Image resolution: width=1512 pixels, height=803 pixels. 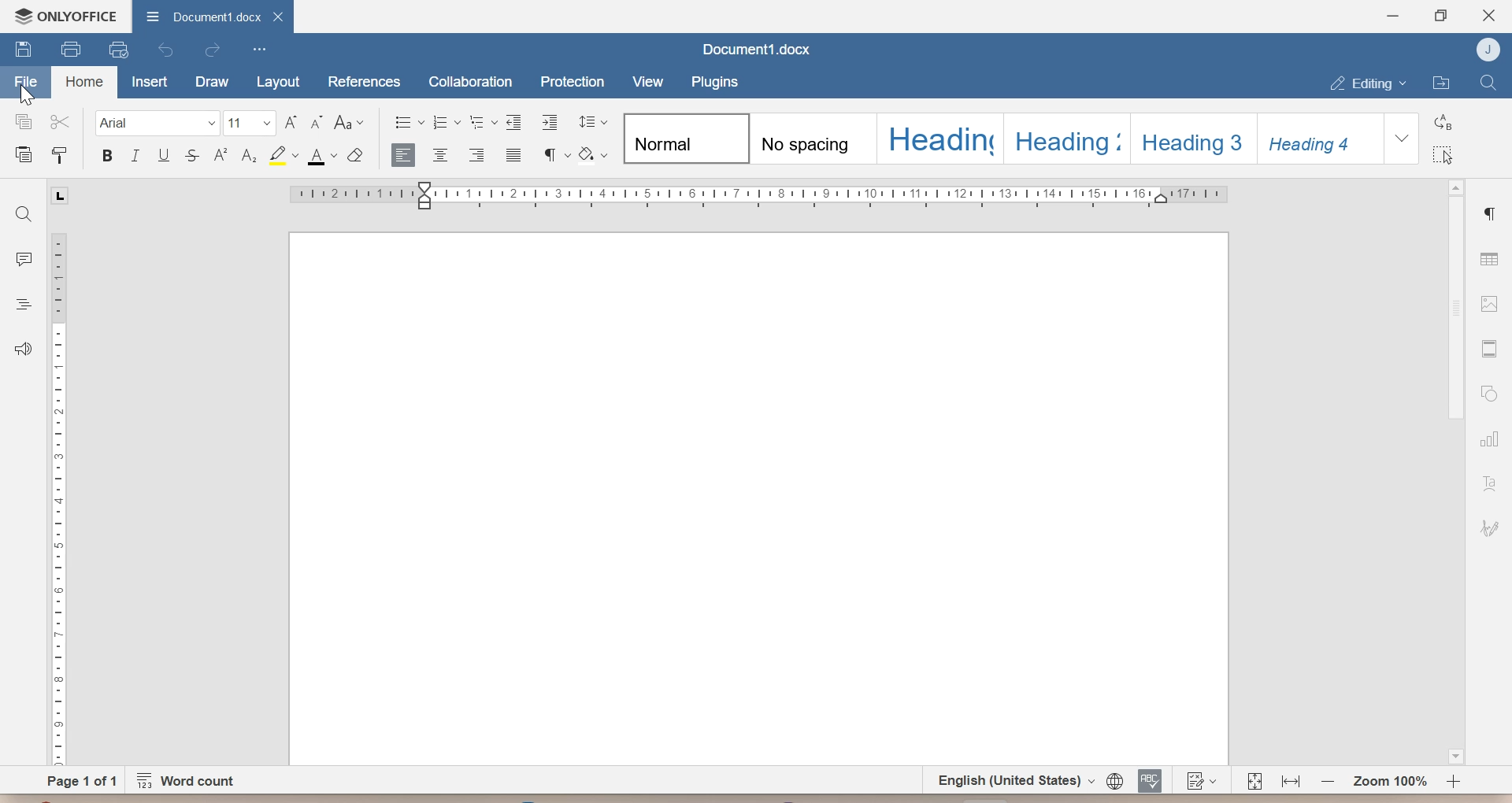 What do you see at coordinates (200, 17) in the screenshot?
I see `` at bounding box center [200, 17].